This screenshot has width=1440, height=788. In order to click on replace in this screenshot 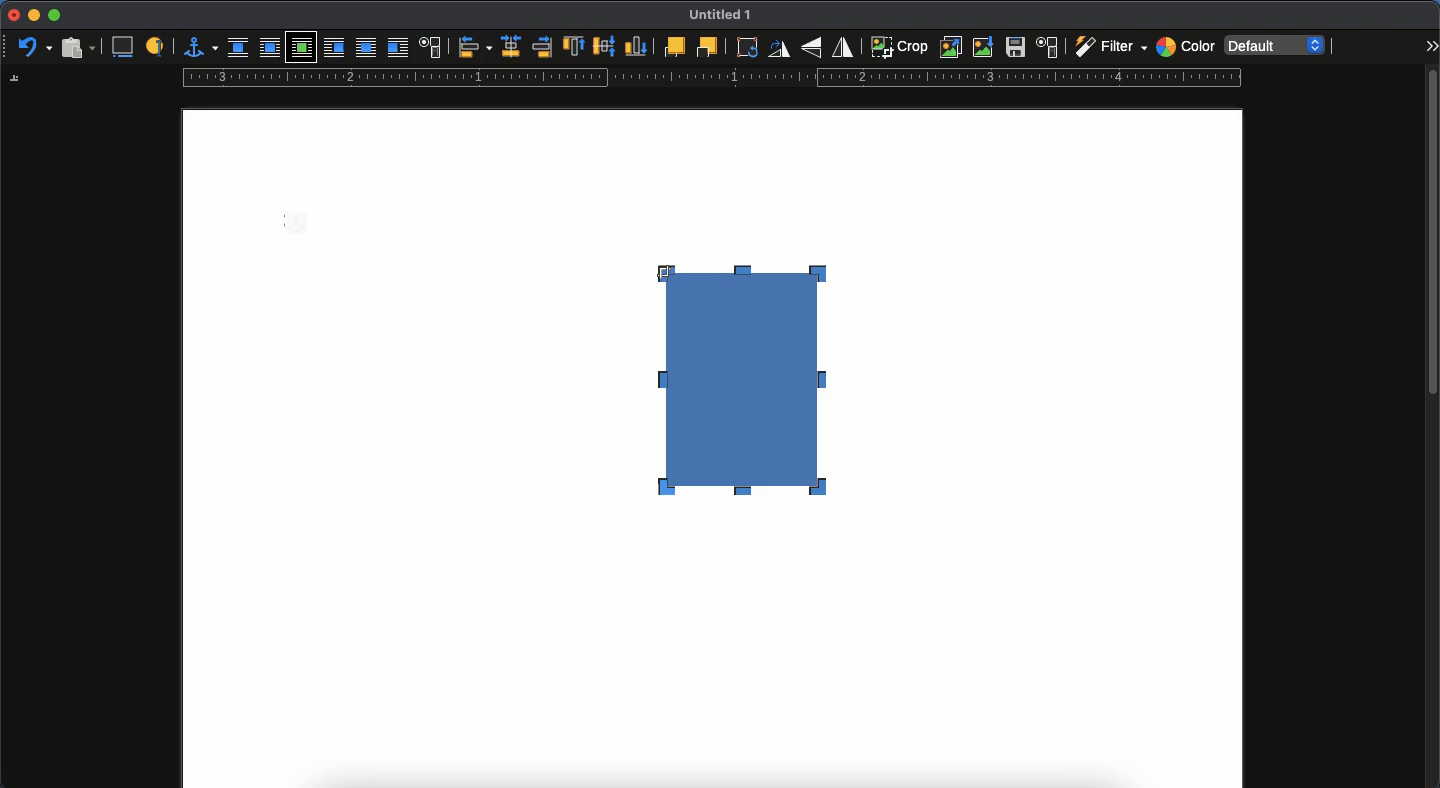, I will do `click(952, 47)`.